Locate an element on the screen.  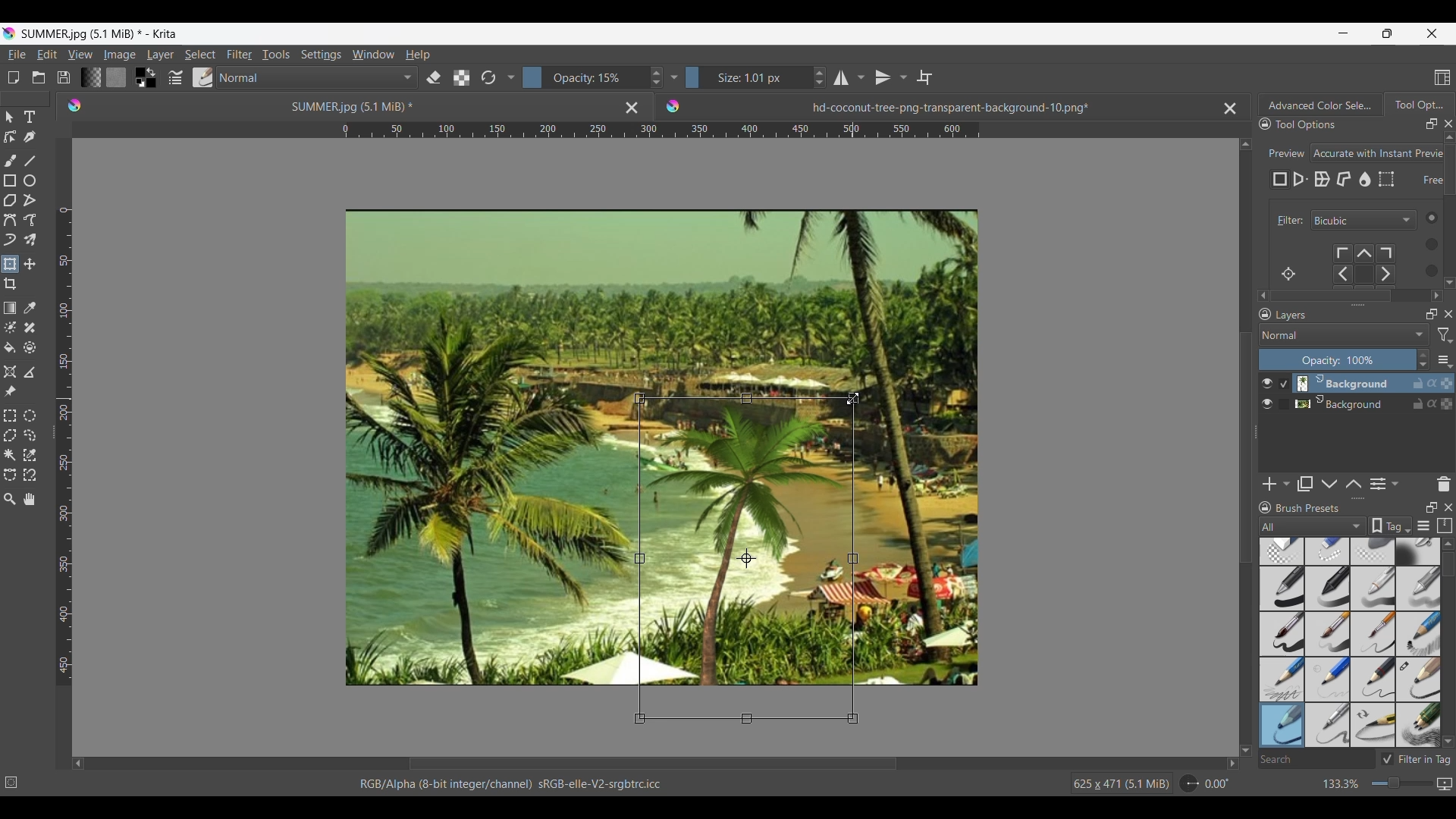
Set eraser mode is located at coordinates (432, 77).